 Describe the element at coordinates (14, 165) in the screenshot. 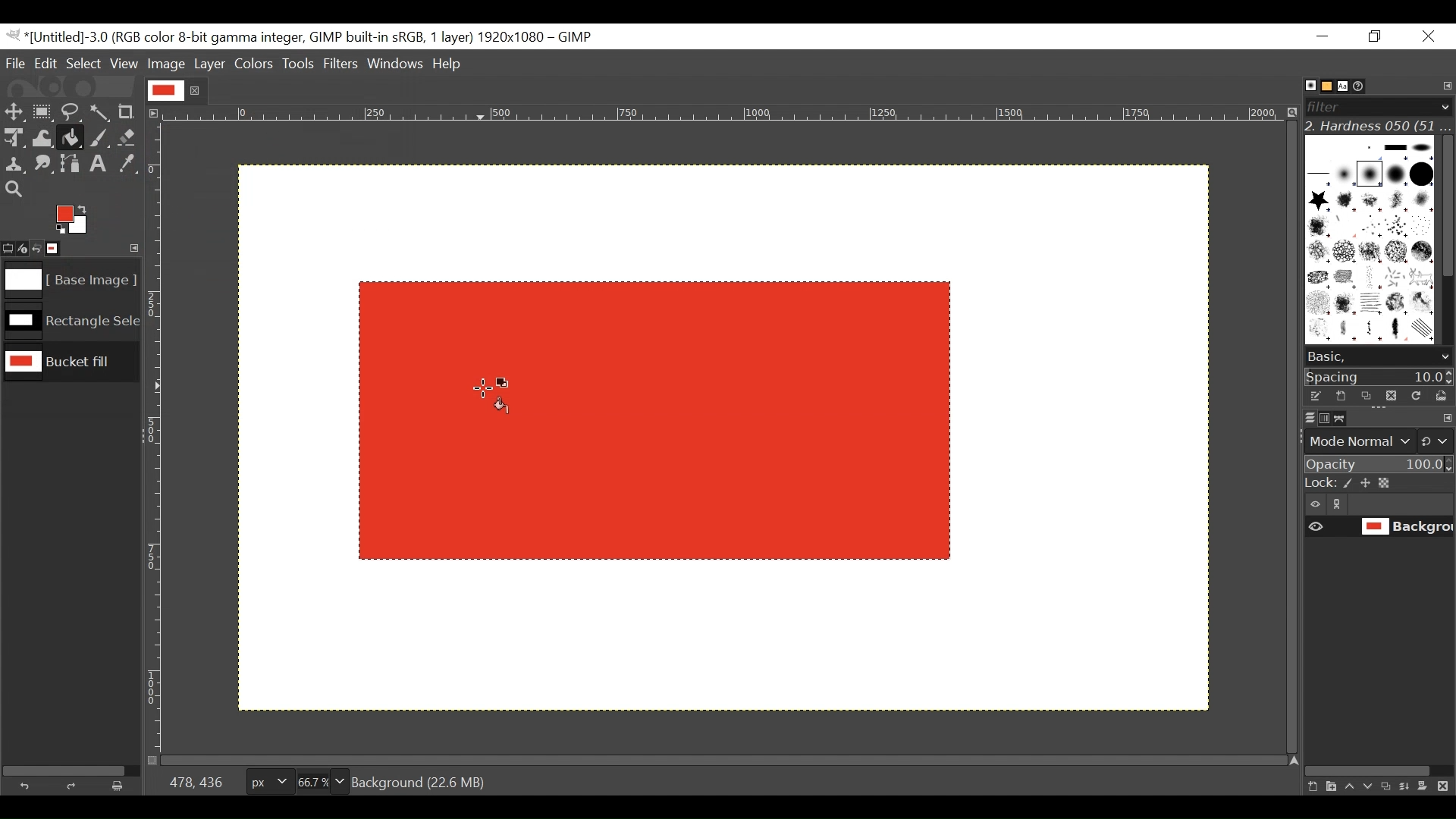

I see `Clone tool` at that location.